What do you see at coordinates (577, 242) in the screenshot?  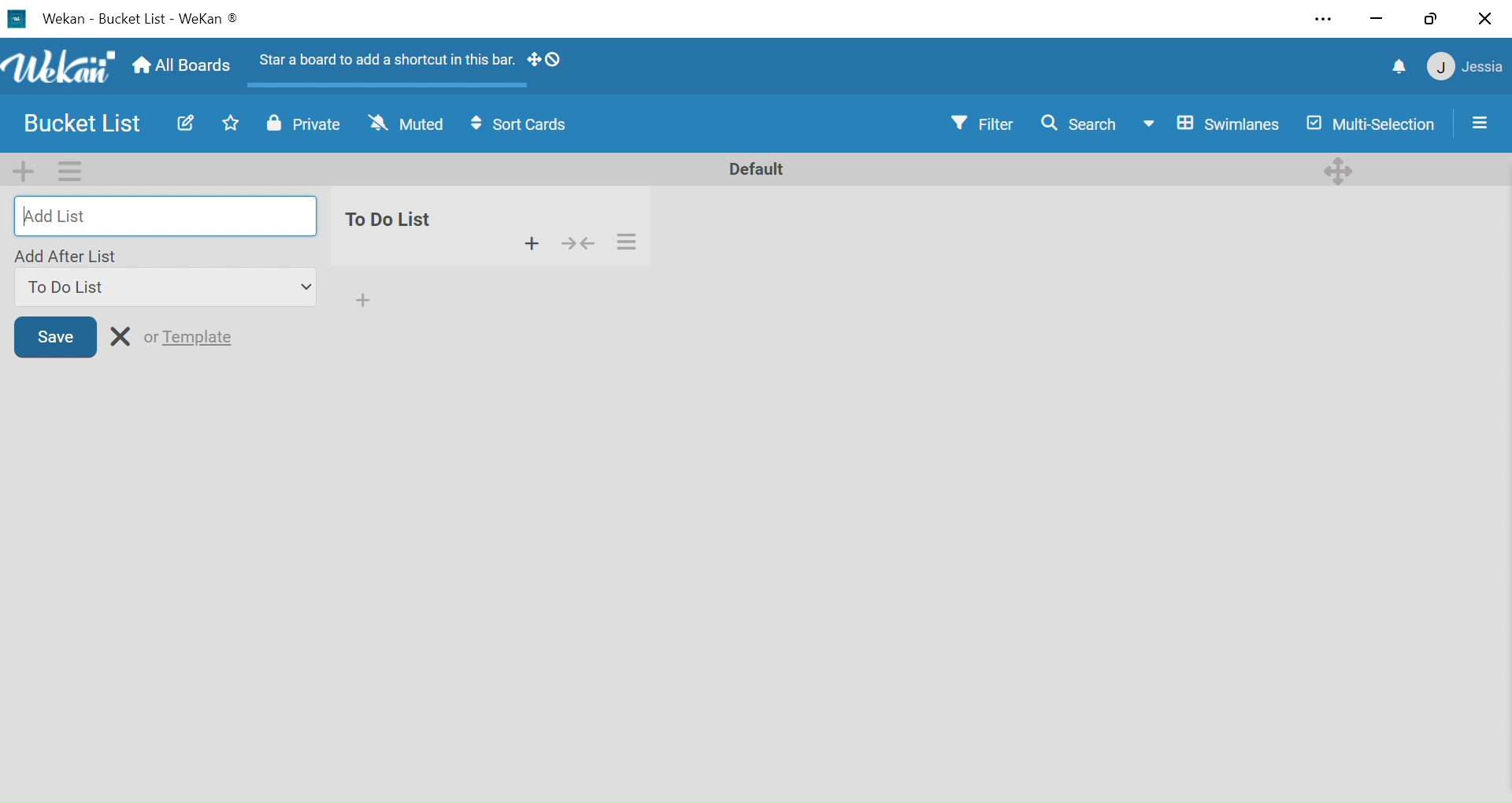 I see `Collapse` at bounding box center [577, 242].